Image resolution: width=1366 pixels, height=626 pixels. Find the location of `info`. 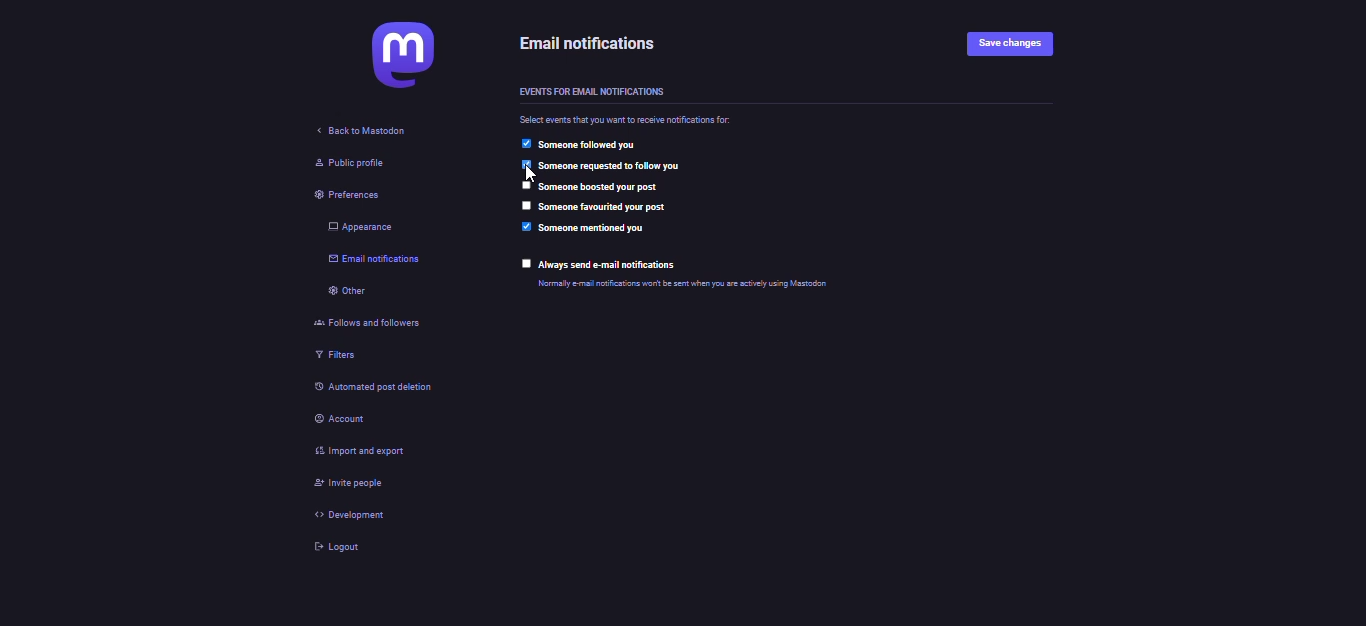

info is located at coordinates (687, 284).